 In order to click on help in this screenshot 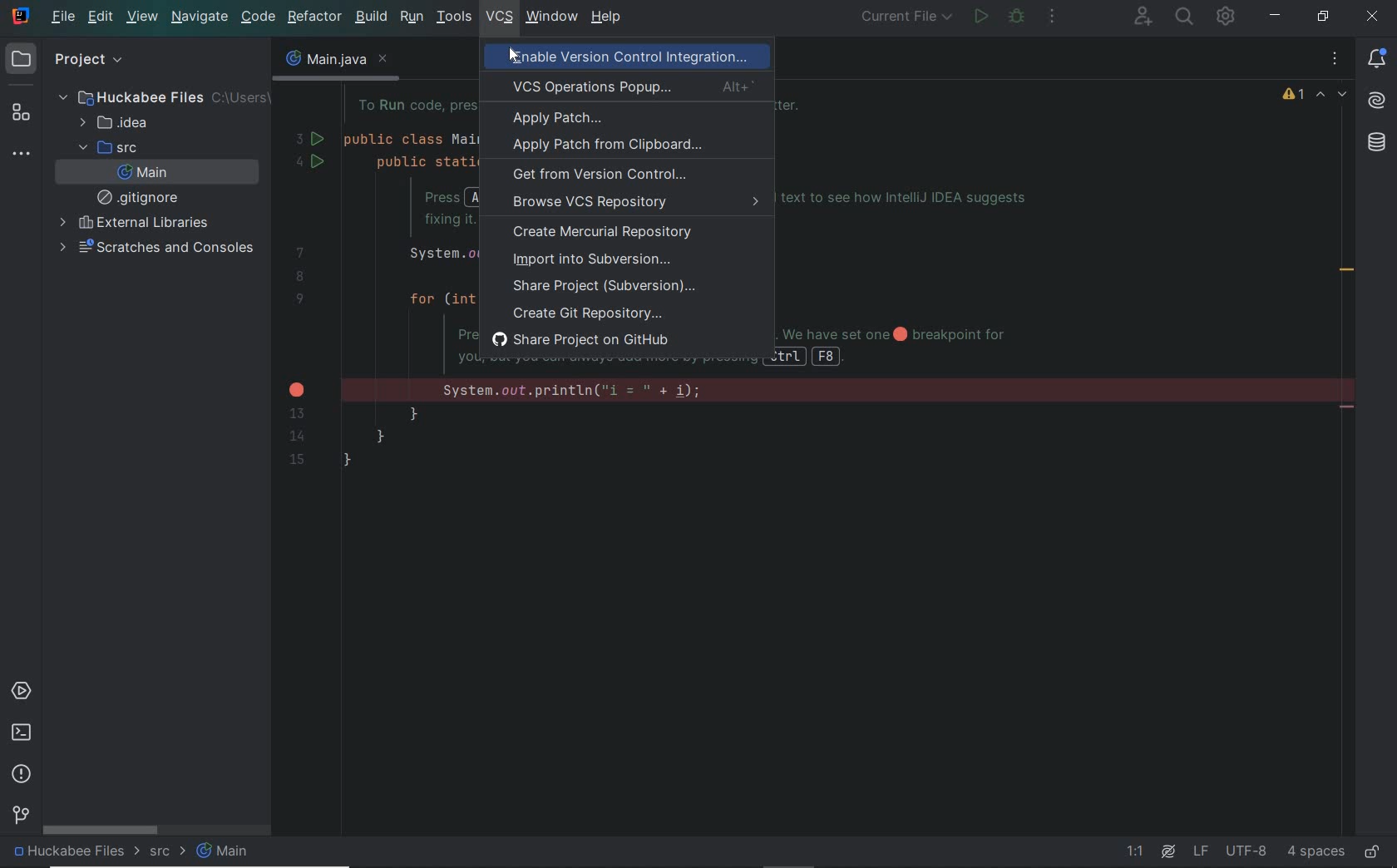, I will do `click(607, 18)`.